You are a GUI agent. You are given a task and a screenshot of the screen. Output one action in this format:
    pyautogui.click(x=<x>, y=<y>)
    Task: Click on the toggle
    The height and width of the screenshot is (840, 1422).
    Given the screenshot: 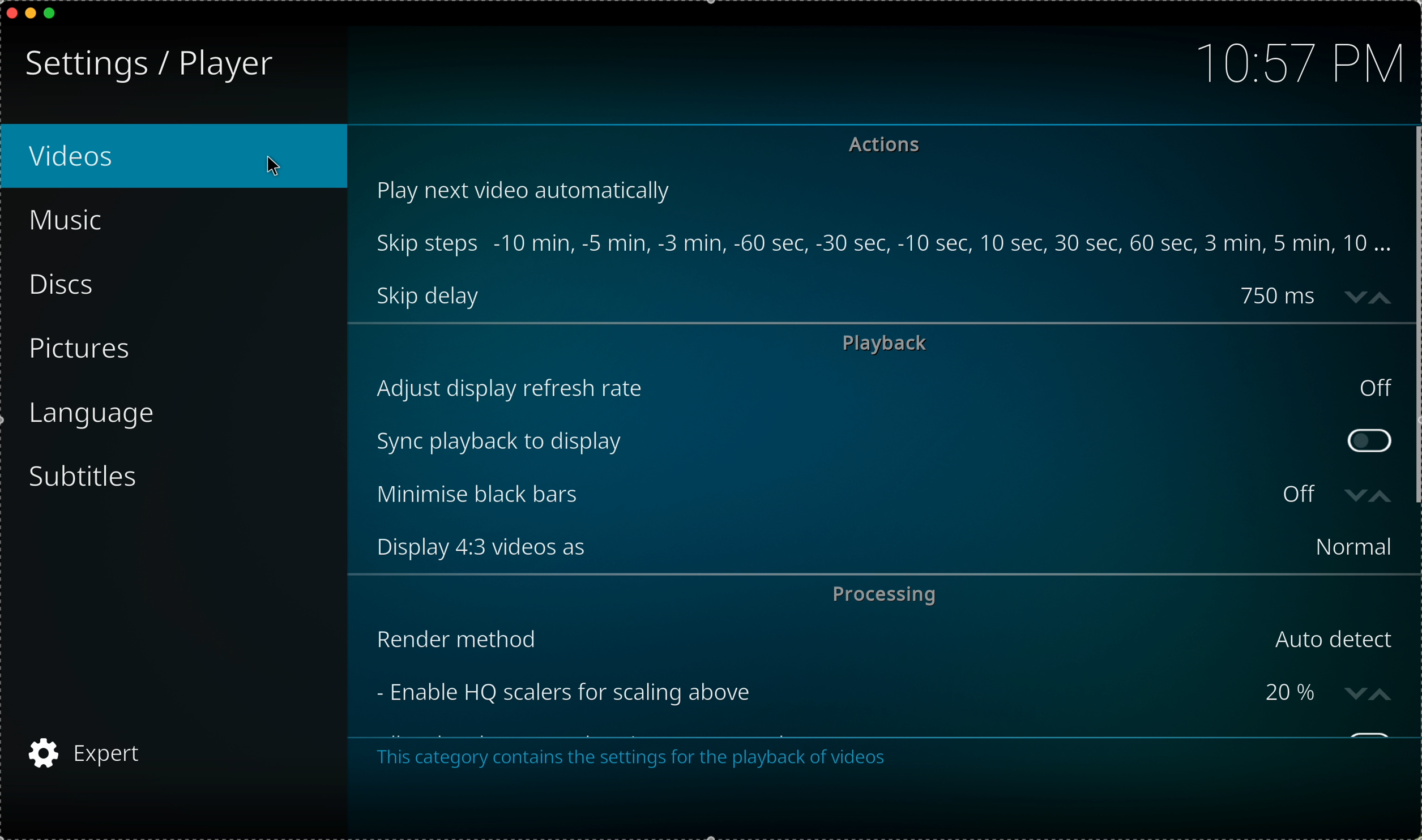 What is the action you would take?
    pyautogui.click(x=1369, y=440)
    